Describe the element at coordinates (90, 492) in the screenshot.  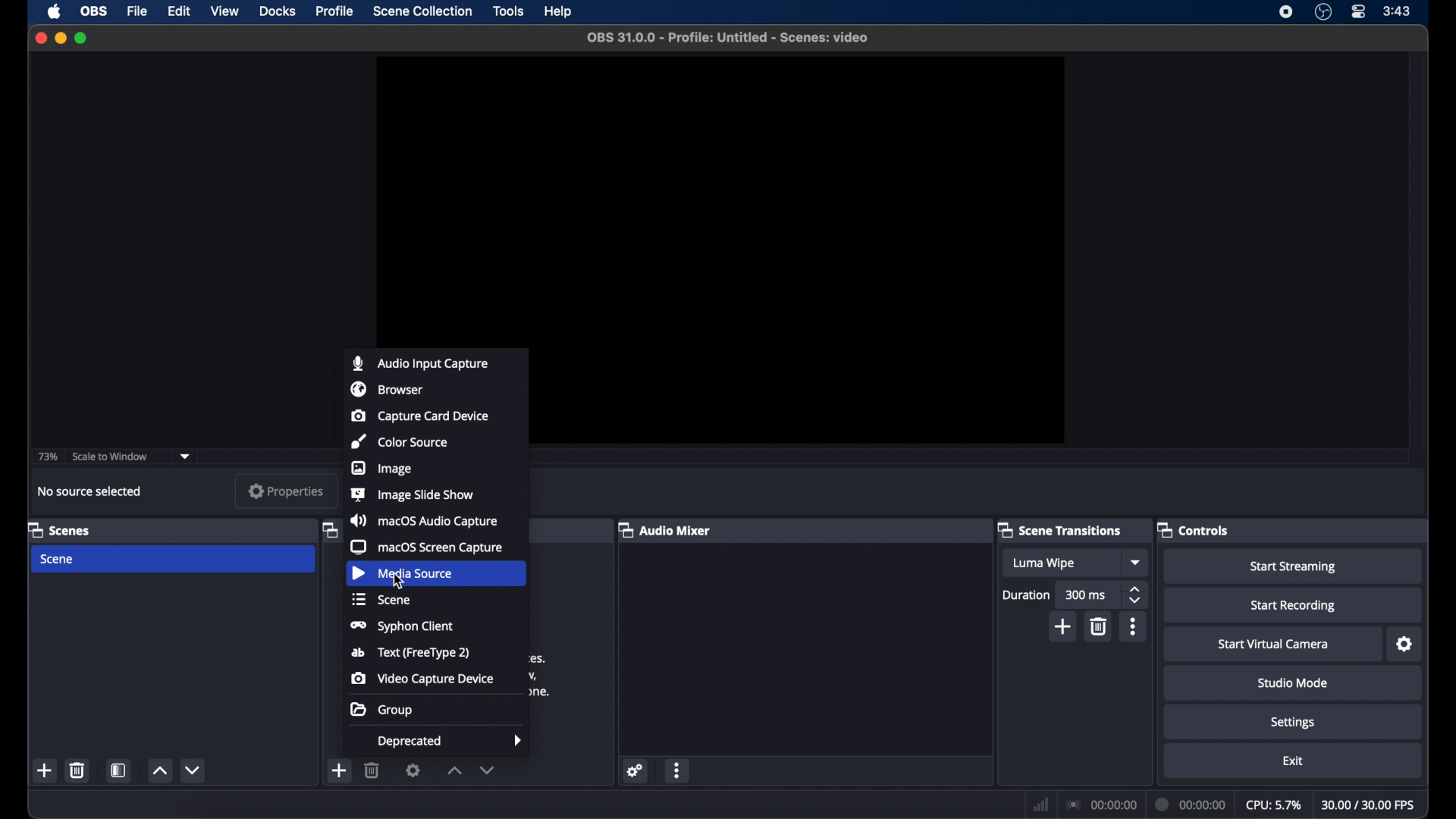
I see `no source selected` at that location.